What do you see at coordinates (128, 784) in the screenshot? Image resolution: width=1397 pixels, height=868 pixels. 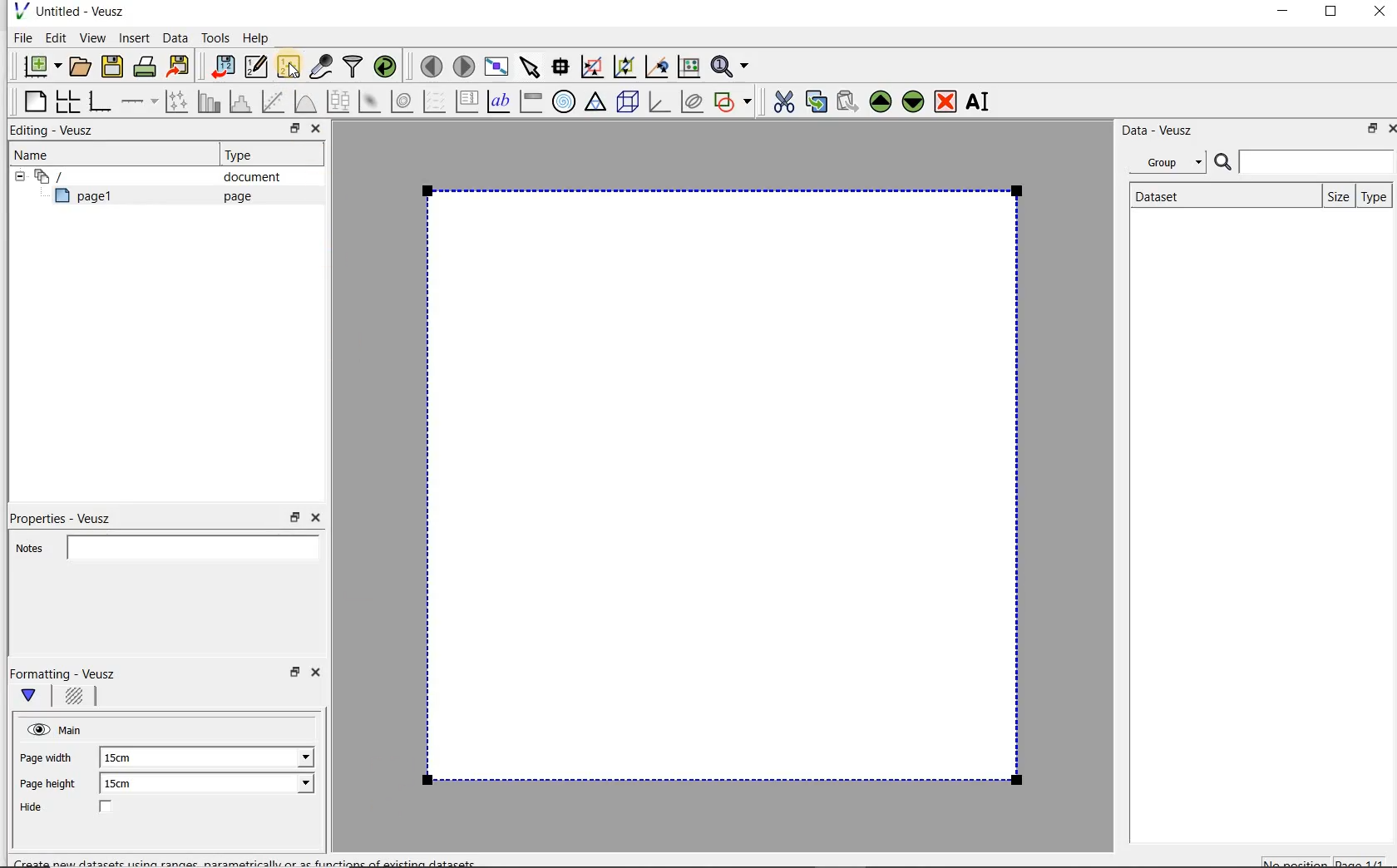 I see `15cm` at bounding box center [128, 784].